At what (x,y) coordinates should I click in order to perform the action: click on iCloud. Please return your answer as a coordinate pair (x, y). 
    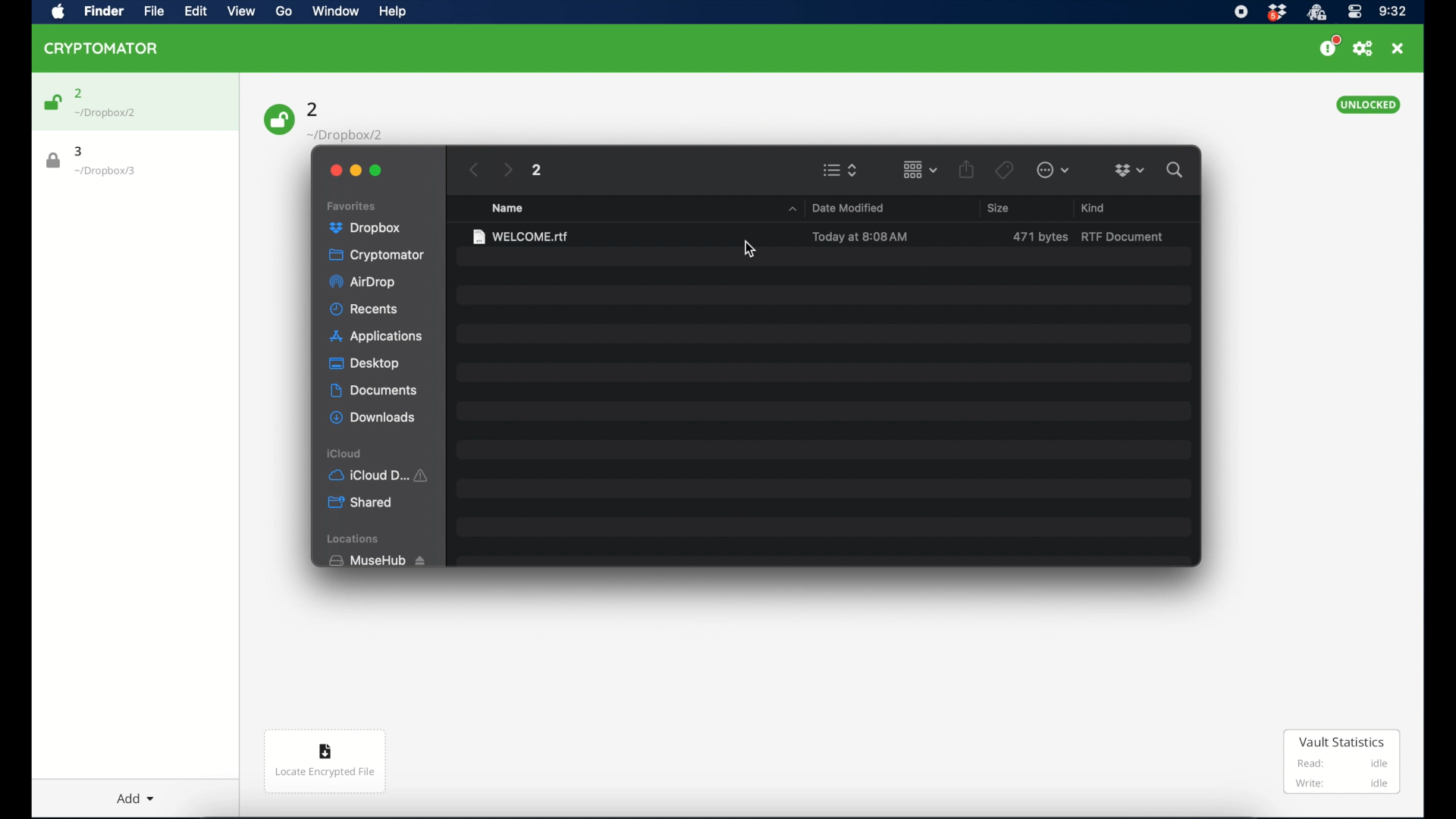
    Looking at the image, I should click on (344, 453).